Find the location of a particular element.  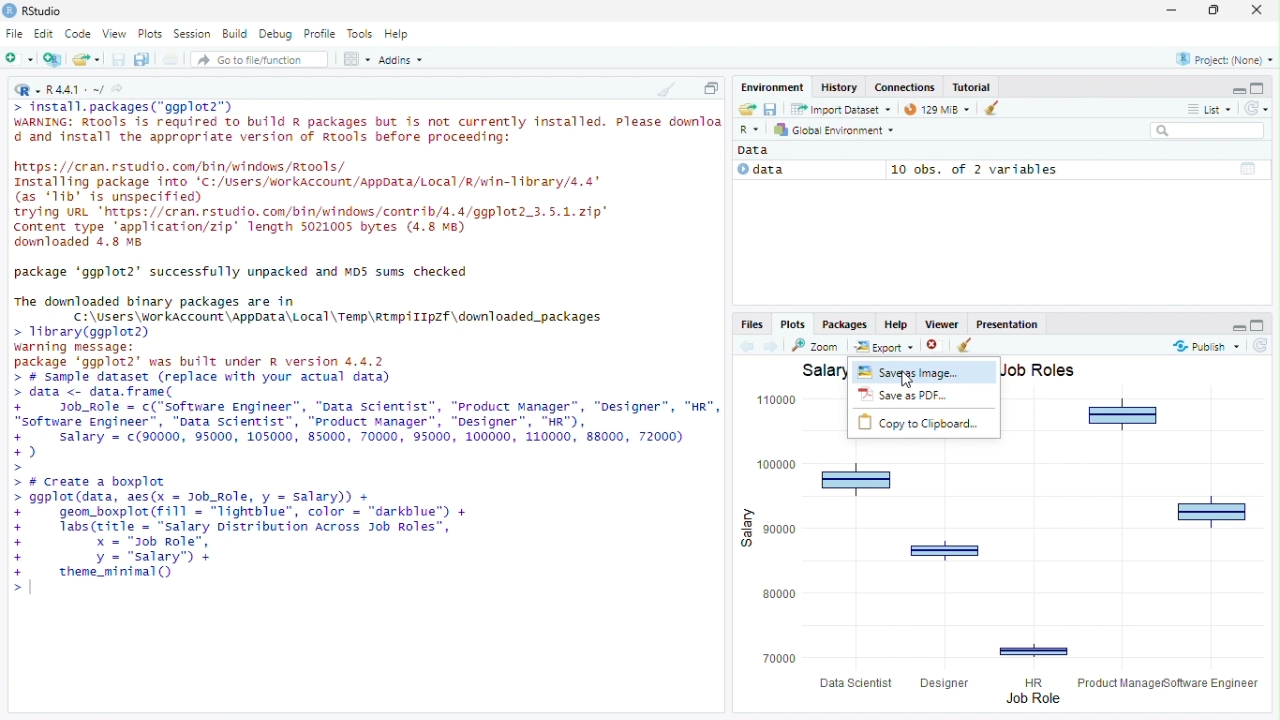

History is located at coordinates (839, 87).